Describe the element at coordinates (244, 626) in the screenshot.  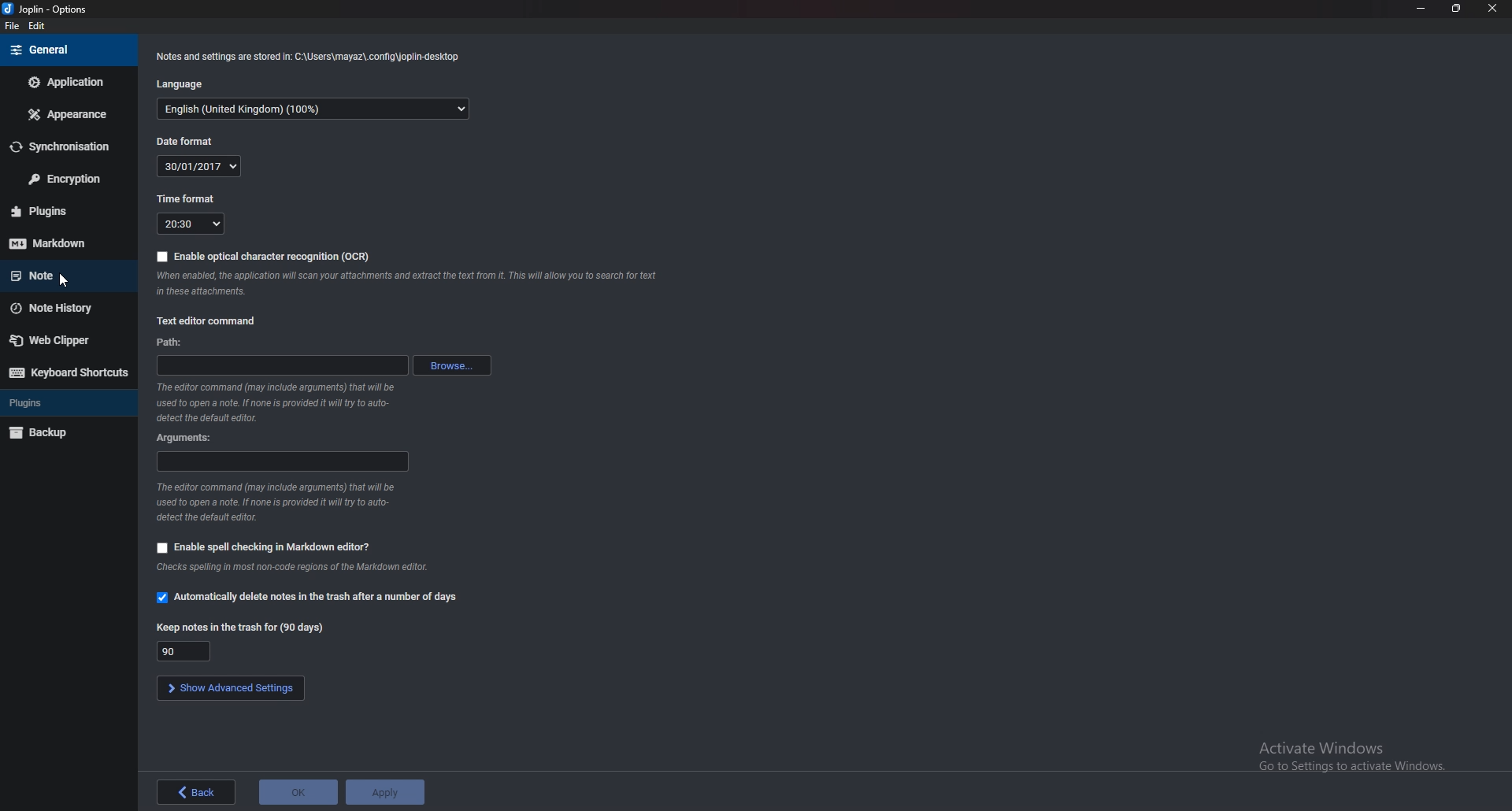
I see `Keep notes in the trash for` at that location.